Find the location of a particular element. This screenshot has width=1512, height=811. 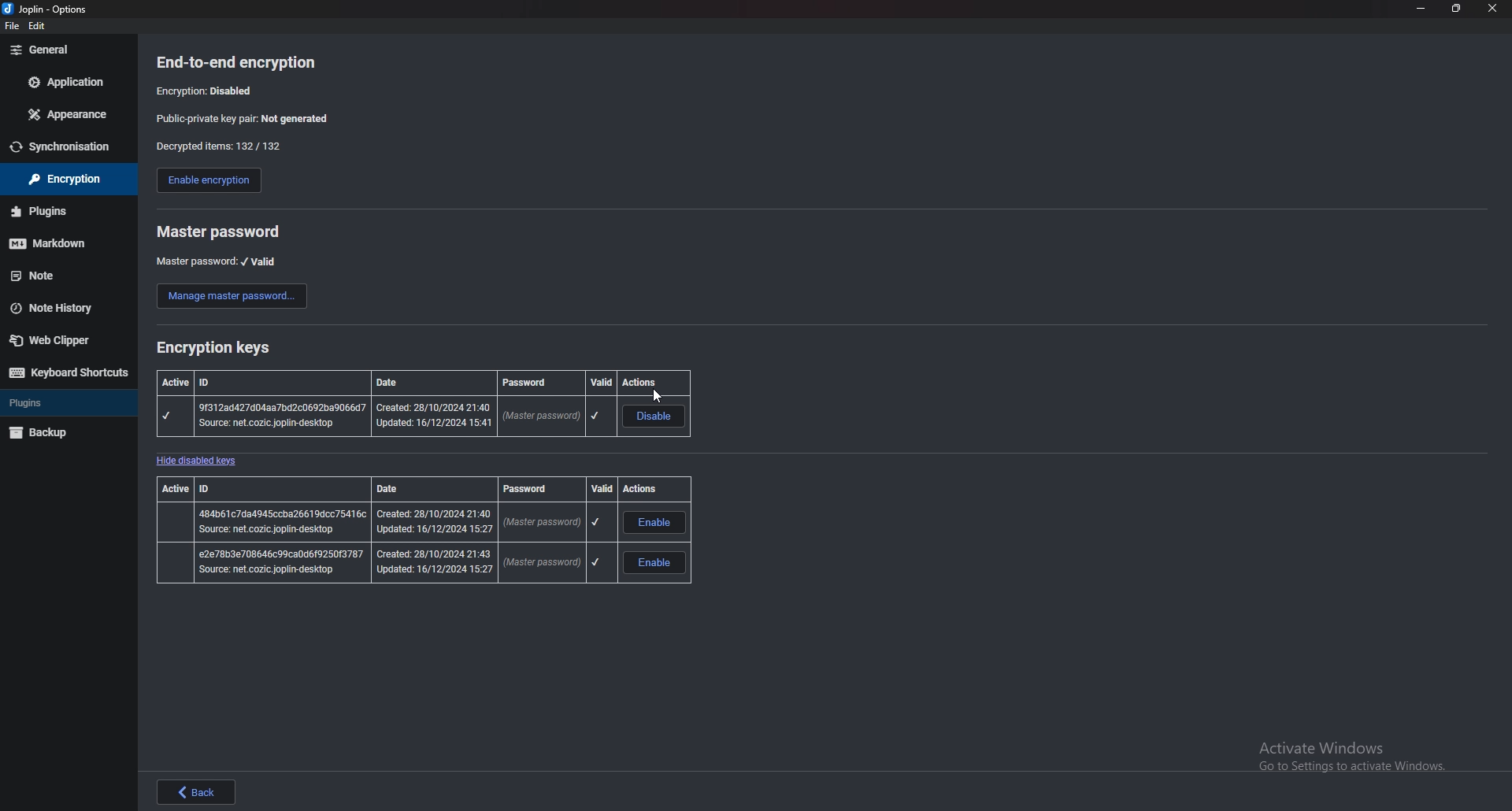

general is located at coordinates (66, 50).